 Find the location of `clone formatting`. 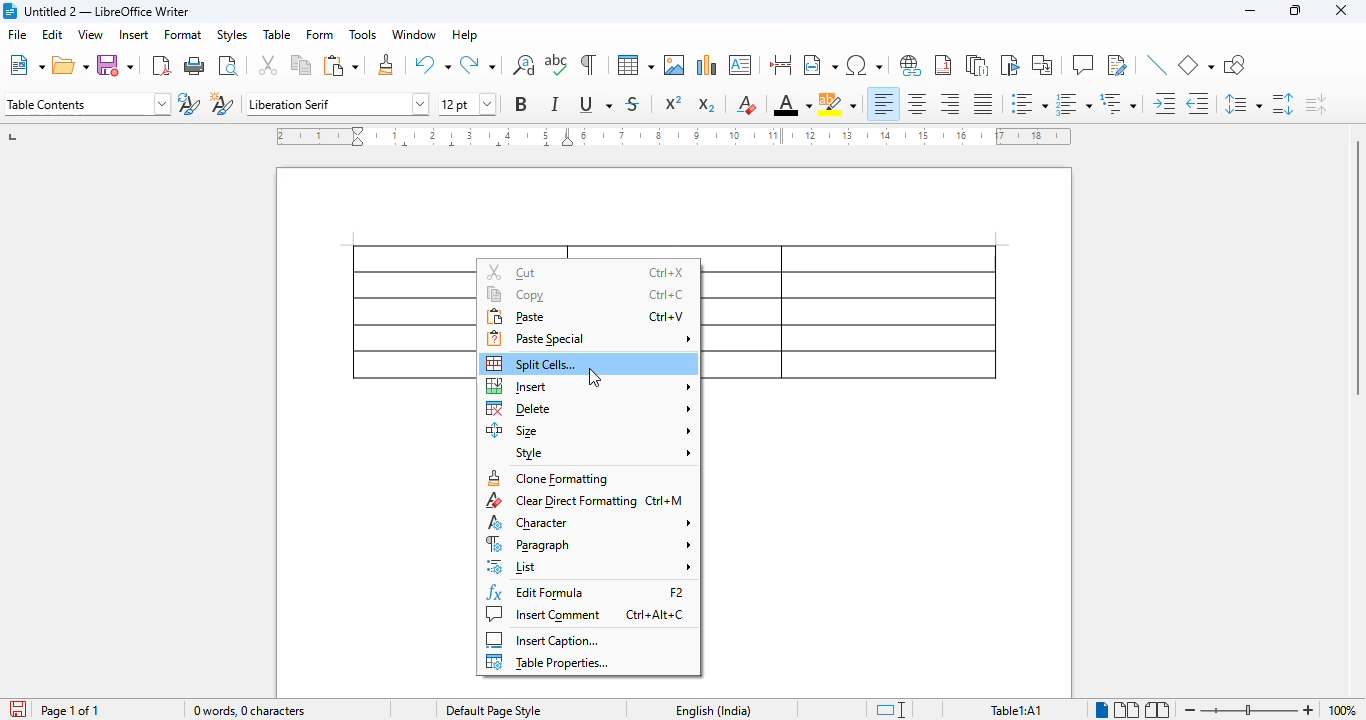

clone formatting is located at coordinates (547, 478).